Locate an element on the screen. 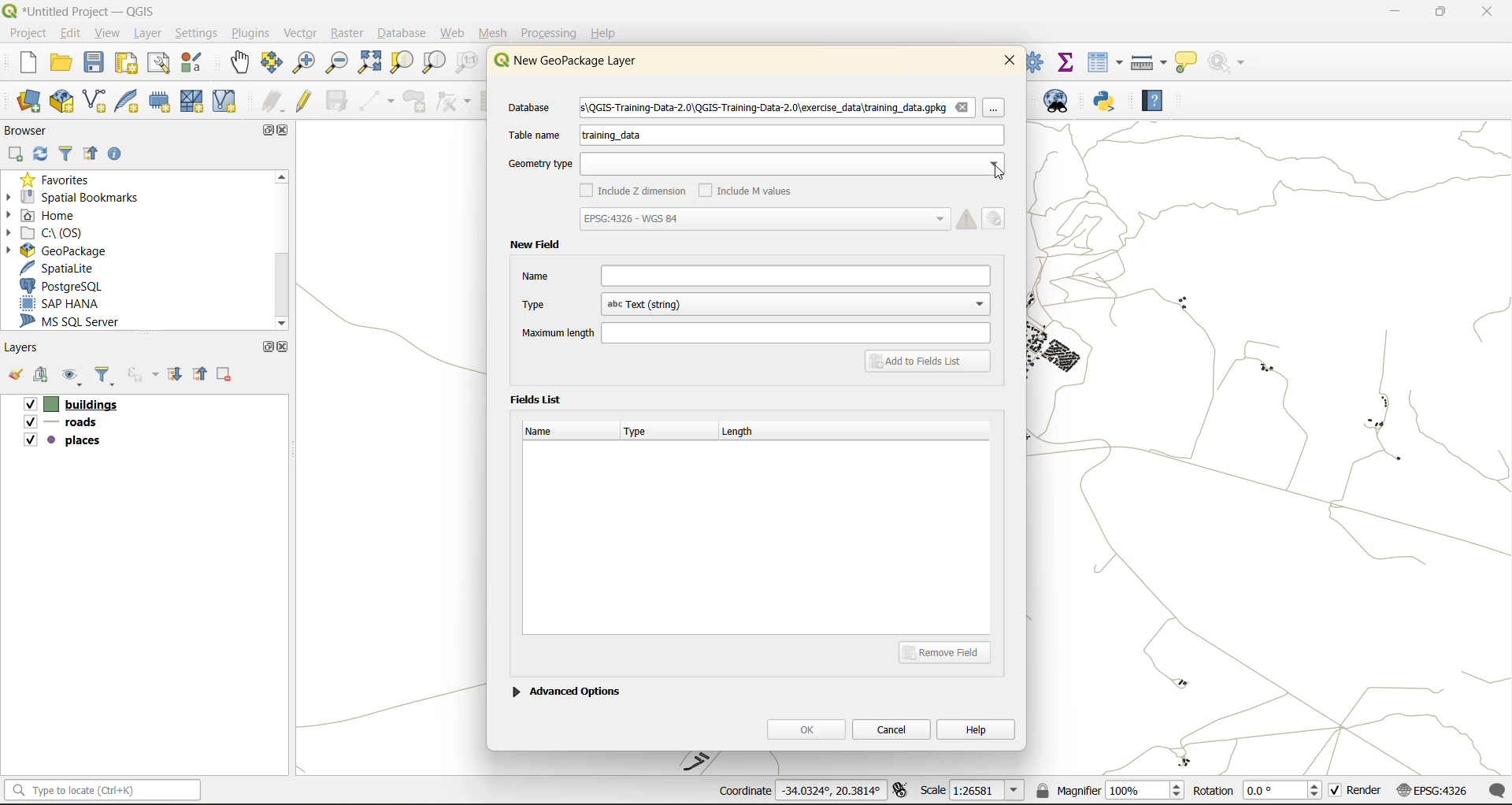  layer is located at coordinates (151, 34).